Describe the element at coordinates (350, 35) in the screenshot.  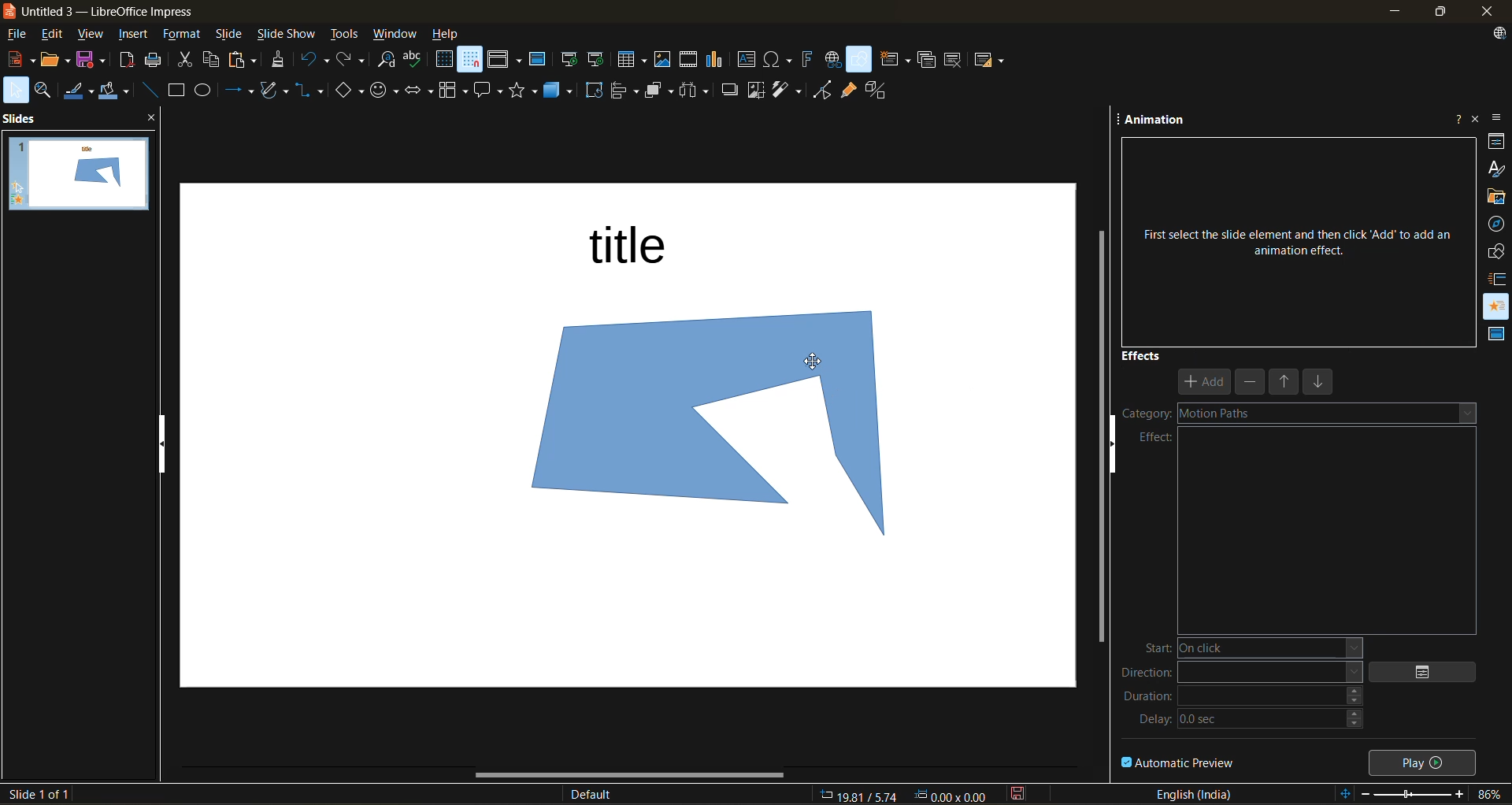
I see `tools` at that location.